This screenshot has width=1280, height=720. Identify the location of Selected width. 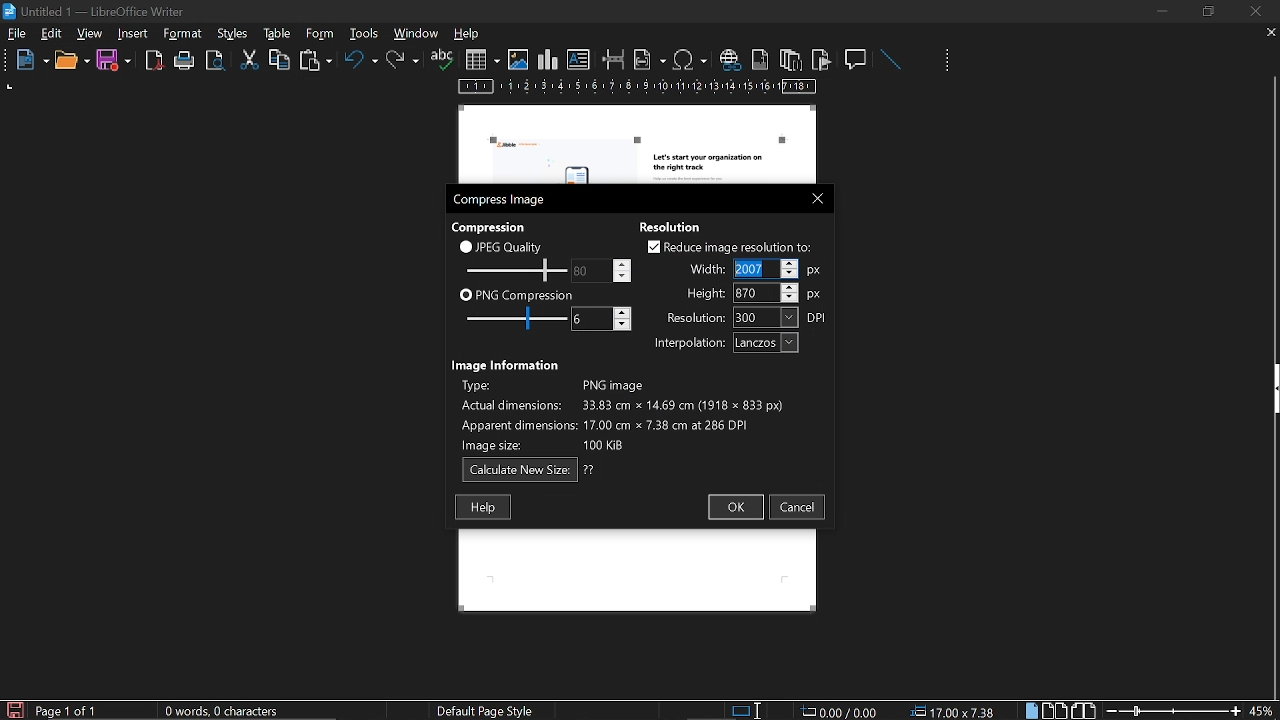
(754, 269).